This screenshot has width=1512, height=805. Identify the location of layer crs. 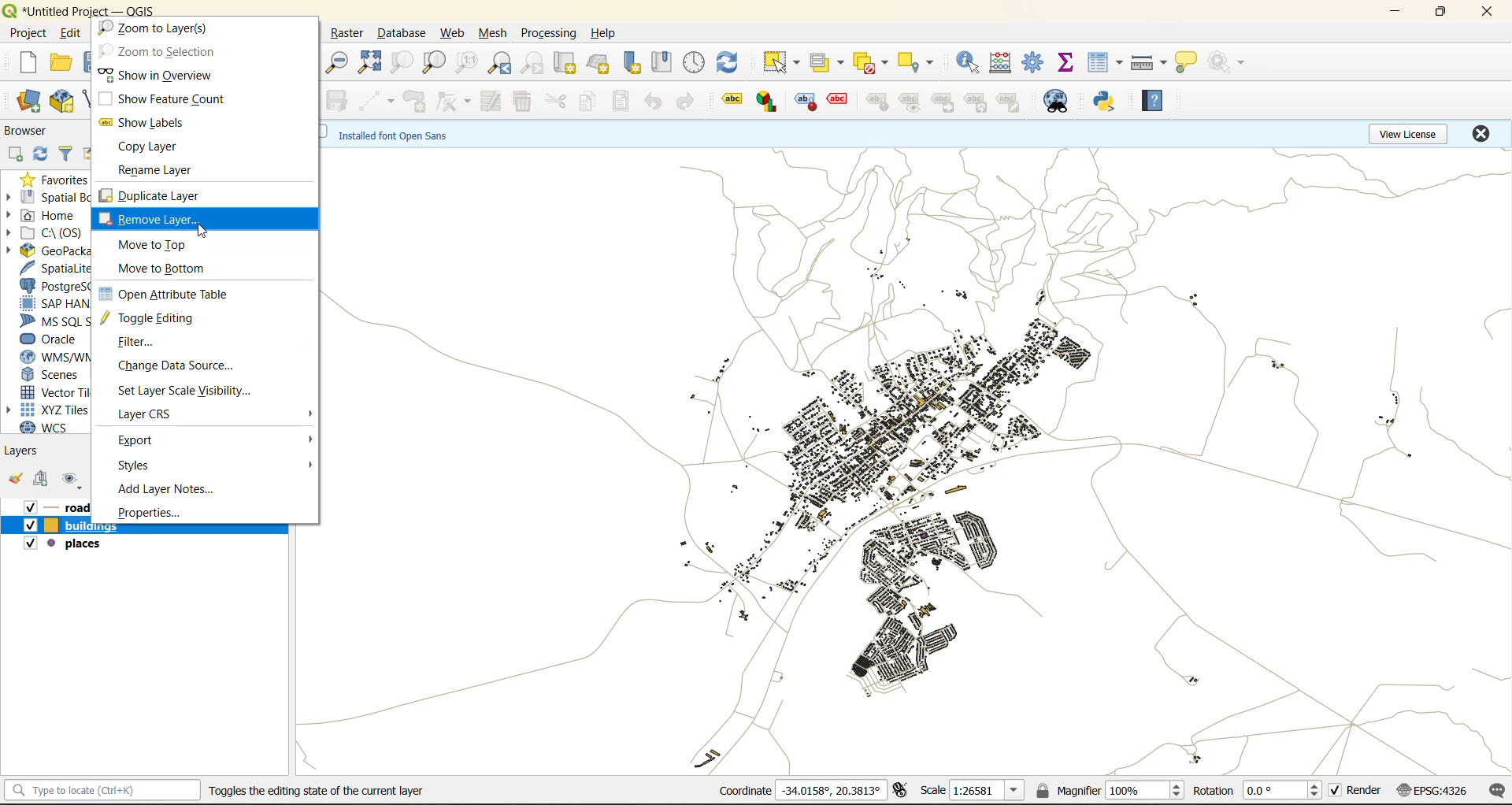
(154, 414).